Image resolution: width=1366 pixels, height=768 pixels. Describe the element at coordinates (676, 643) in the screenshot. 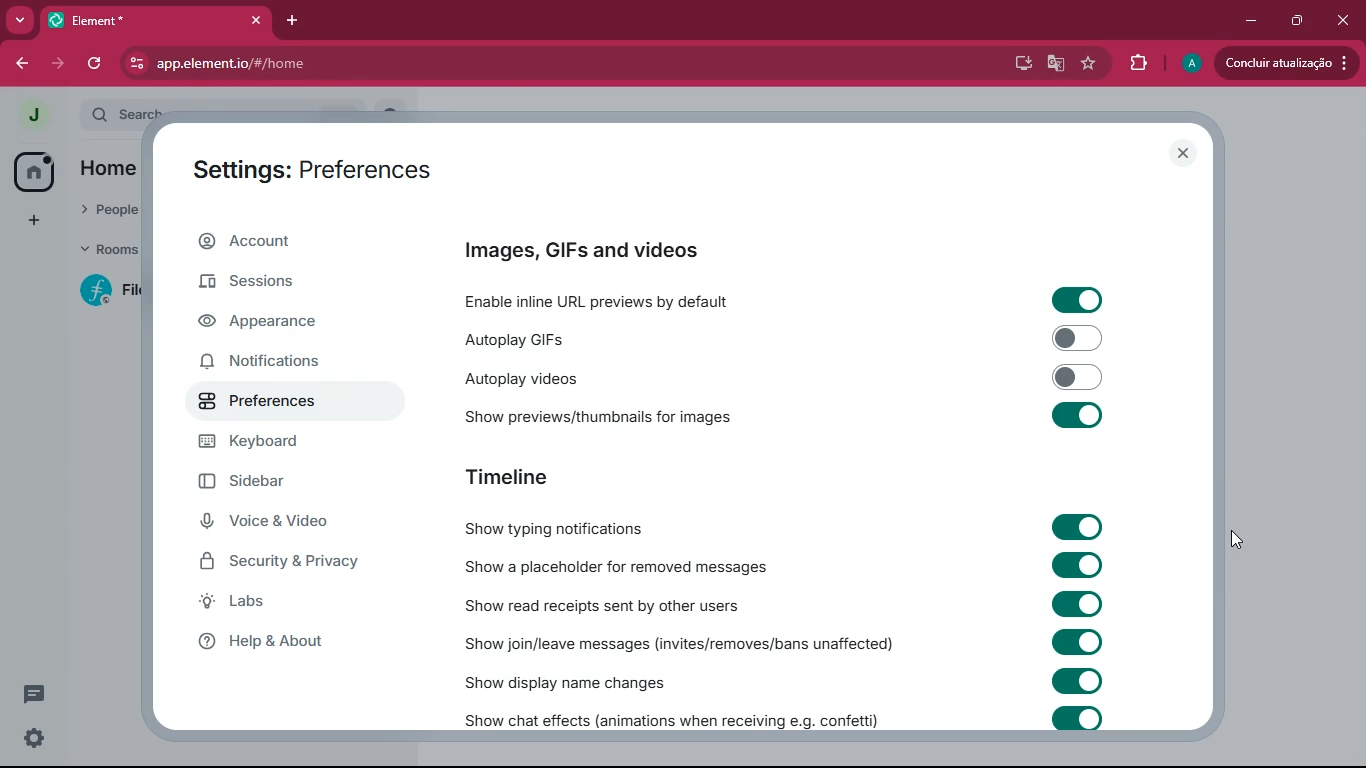

I see `show join / leave messages (invites/removes/bans unaffected)` at that location.